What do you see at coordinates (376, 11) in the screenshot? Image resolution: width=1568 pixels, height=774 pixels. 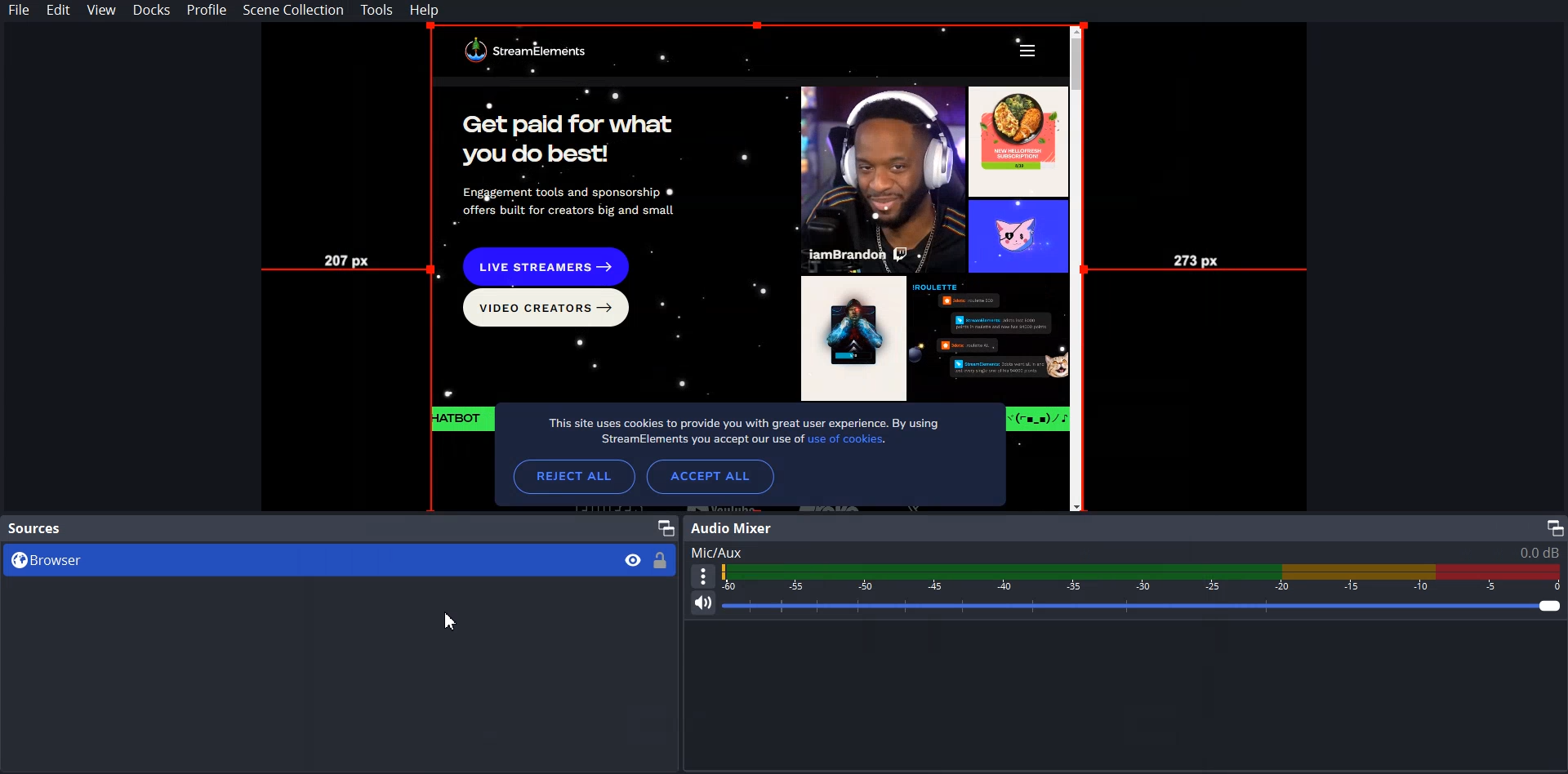 I see `Tools` at bounding box center [376, 11].